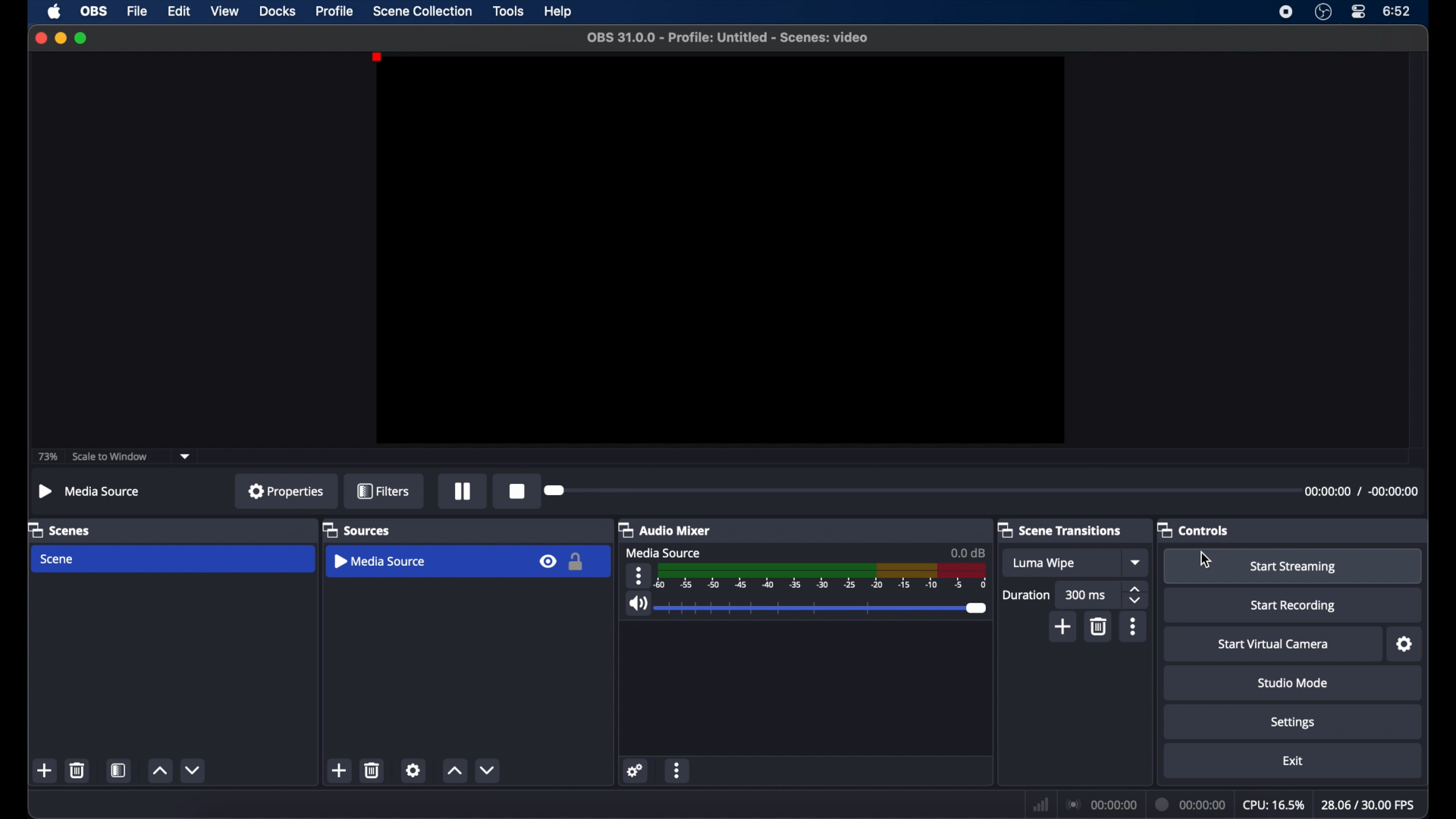  Describe the element at coordinates (46, 457) in the screenshot. I see `73%` at that location.